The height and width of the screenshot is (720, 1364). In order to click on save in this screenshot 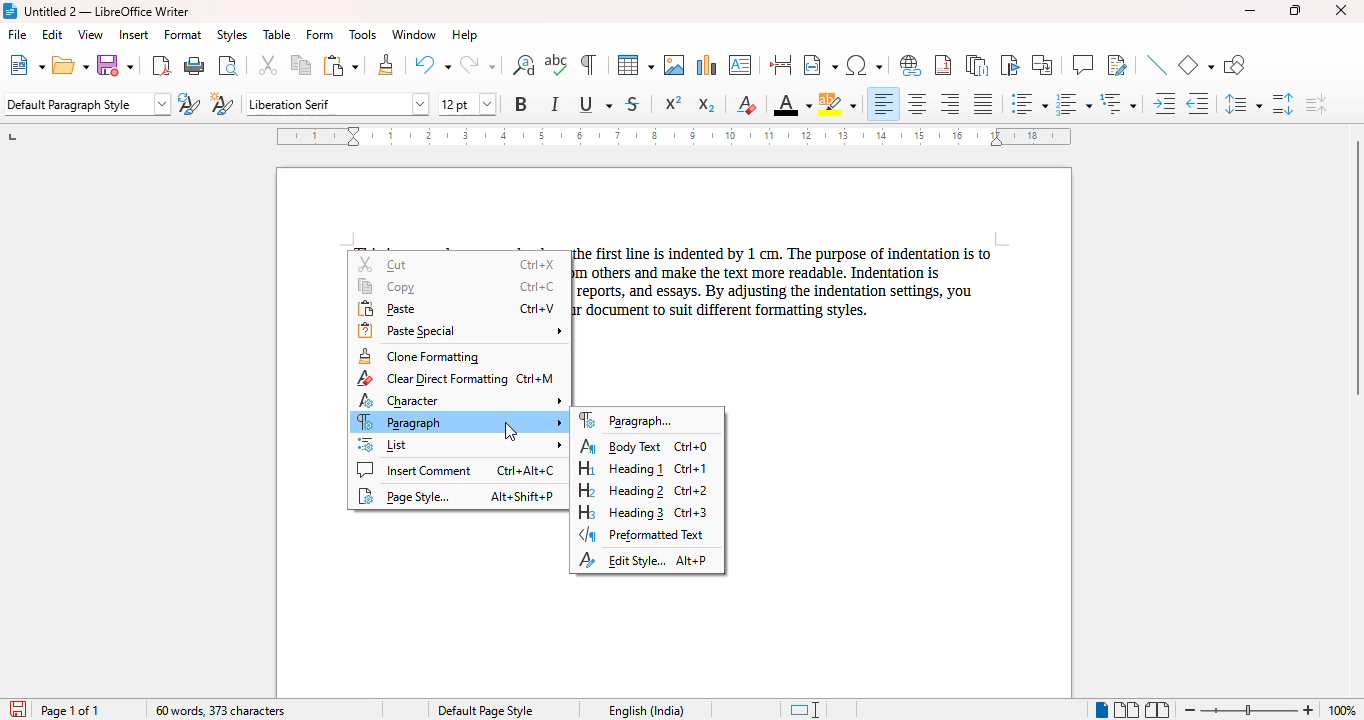, I will do `click(118, 65)`.